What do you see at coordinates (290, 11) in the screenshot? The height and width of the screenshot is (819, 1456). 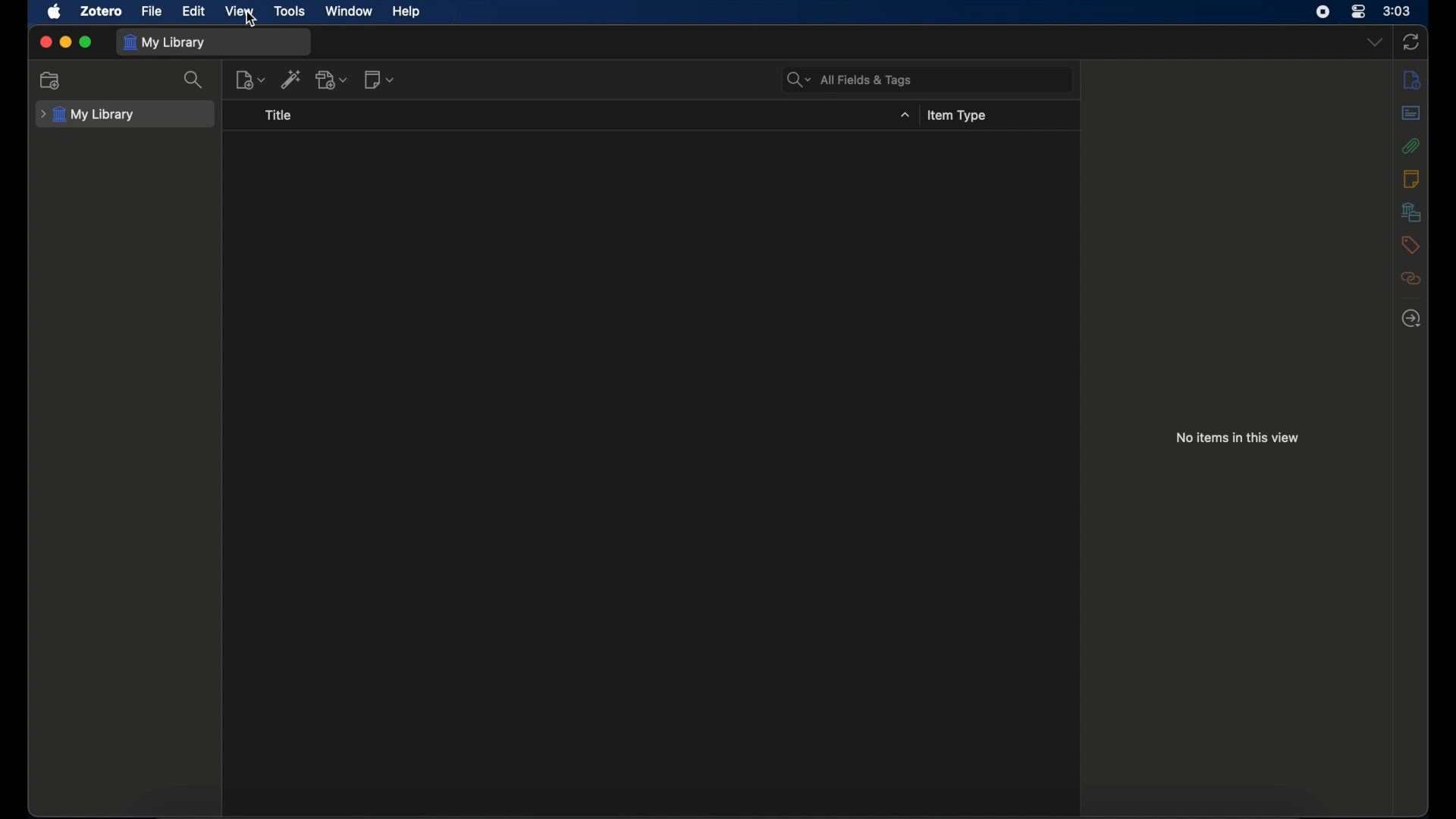 I see `tools` at bounding box center [290, 11].